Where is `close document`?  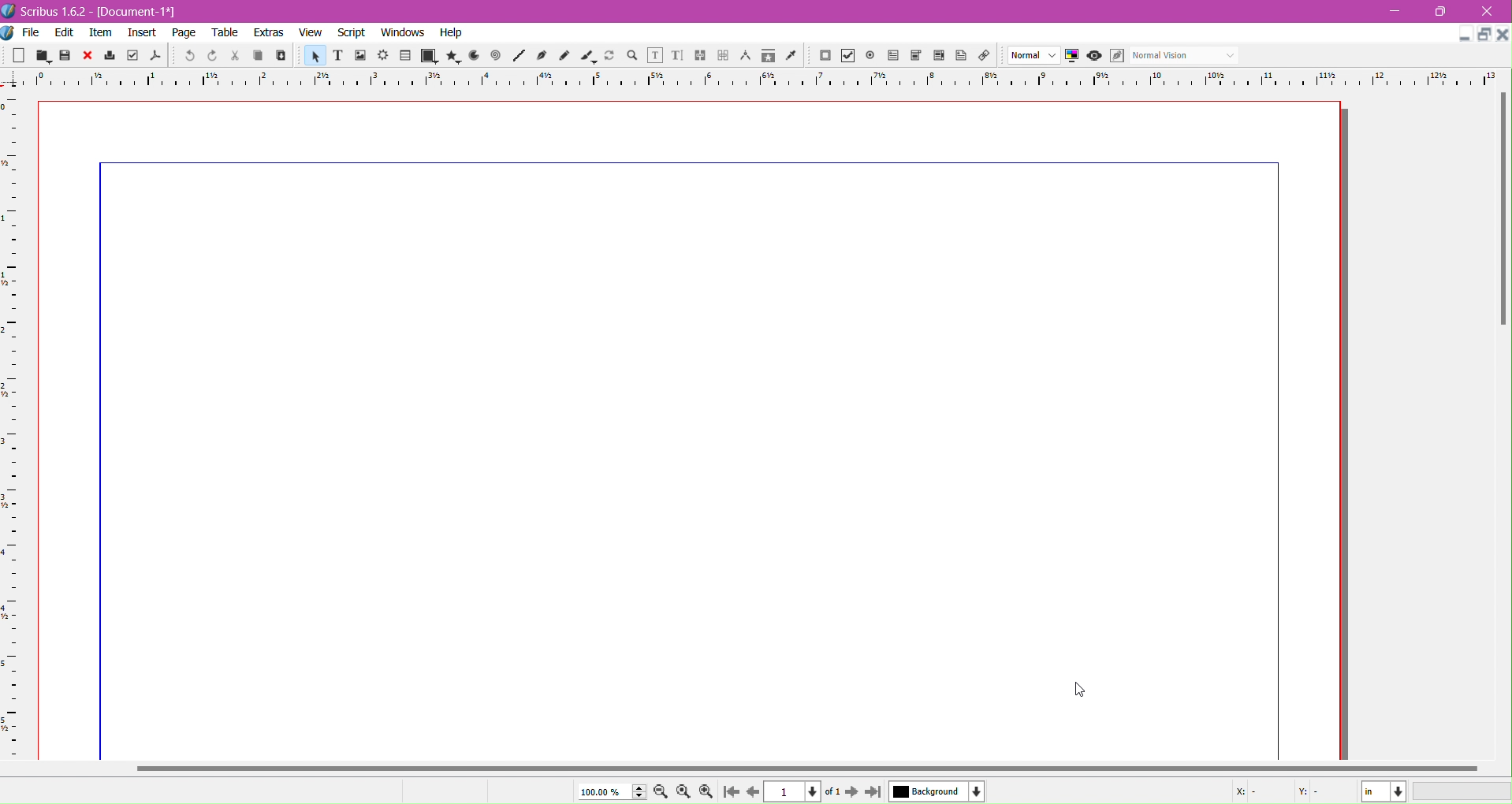
close document is located at coordinates (1503, 35).